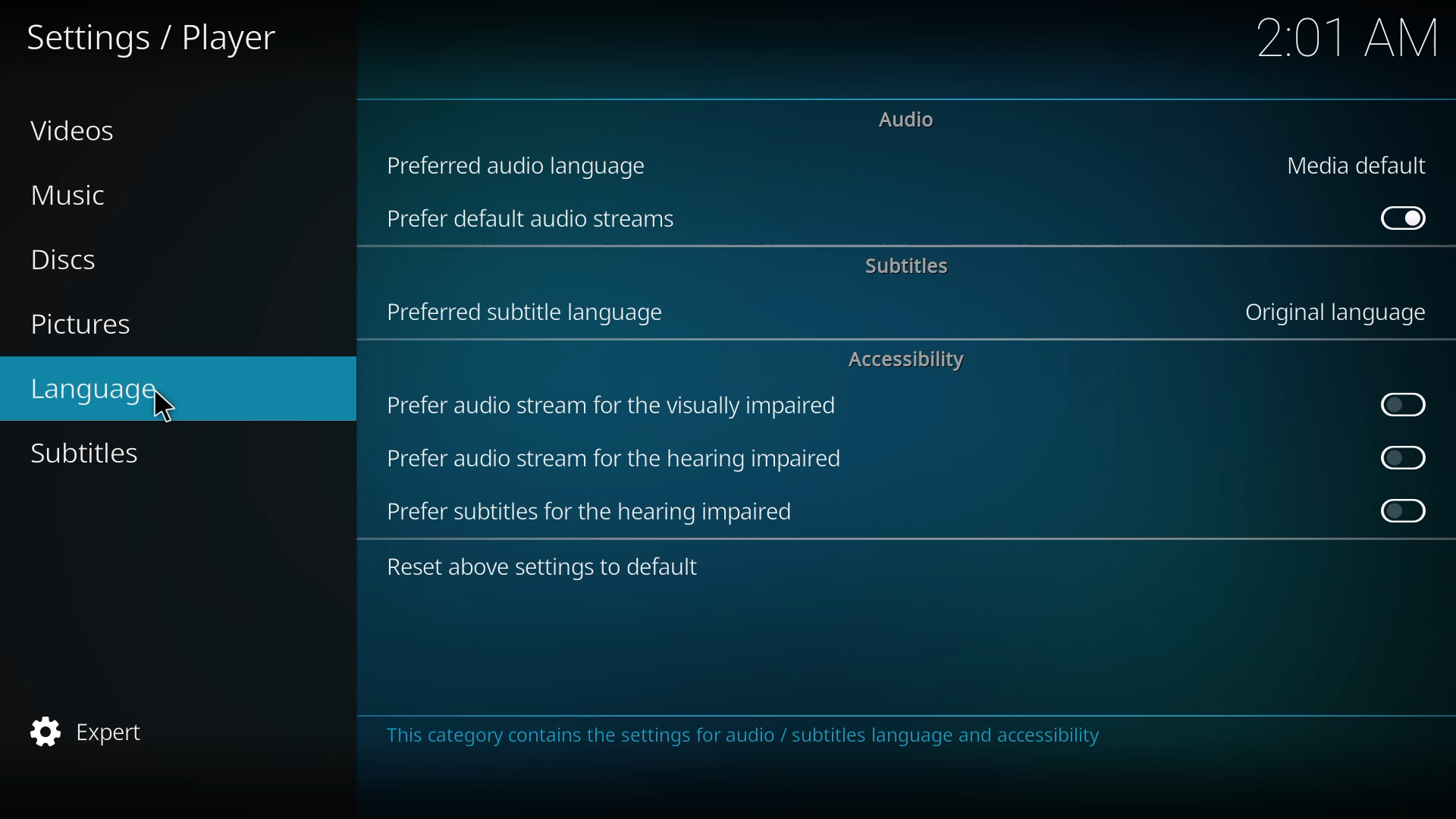 The image size is (1456, 819). What do you see at coordinates (102, 391) in the screenshot?
I see `language` at bounding box center [102, 391].